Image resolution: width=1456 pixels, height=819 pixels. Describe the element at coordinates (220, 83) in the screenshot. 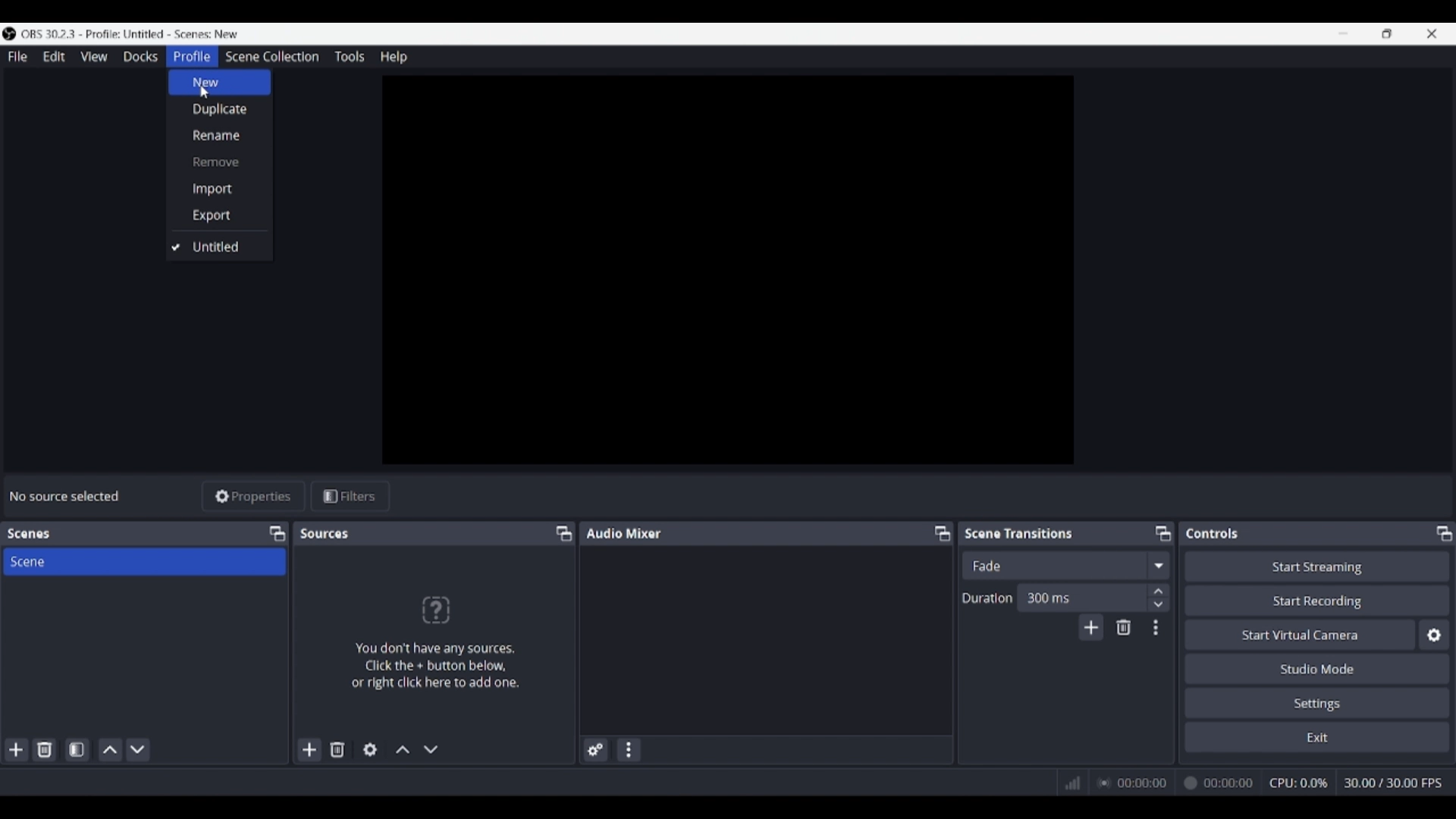

I see `New, current selection highlighted` at that location.